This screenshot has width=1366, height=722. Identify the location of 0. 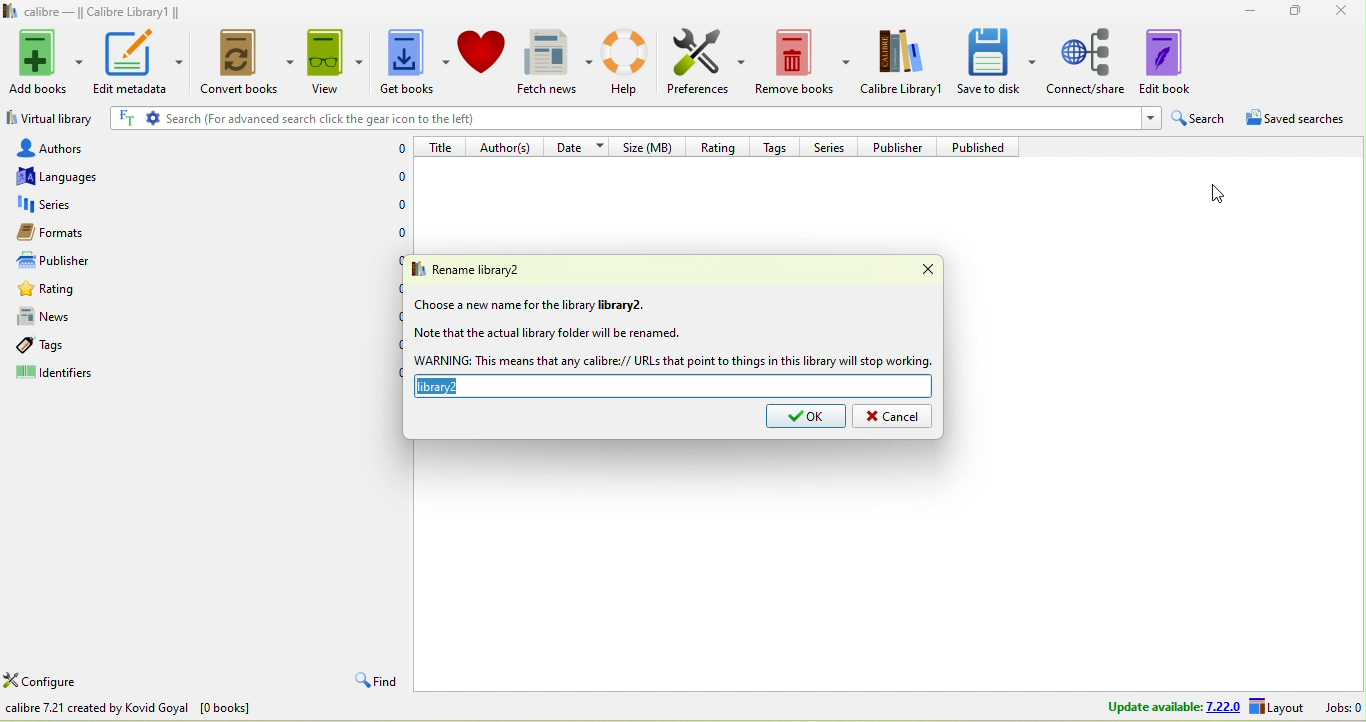
(398, 235).